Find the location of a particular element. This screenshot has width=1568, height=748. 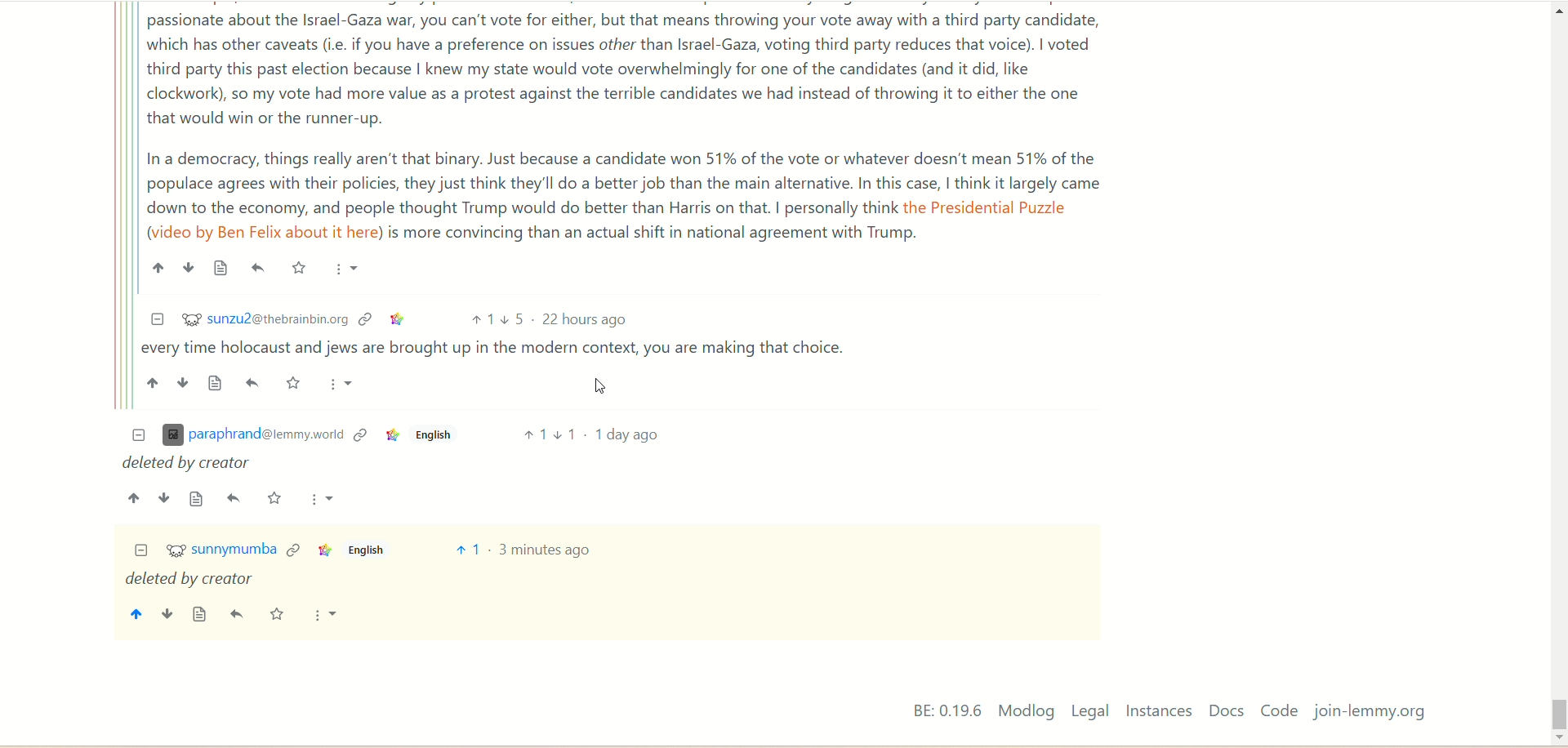

BE: 0.19.6 is located at coordinates (947, 710).